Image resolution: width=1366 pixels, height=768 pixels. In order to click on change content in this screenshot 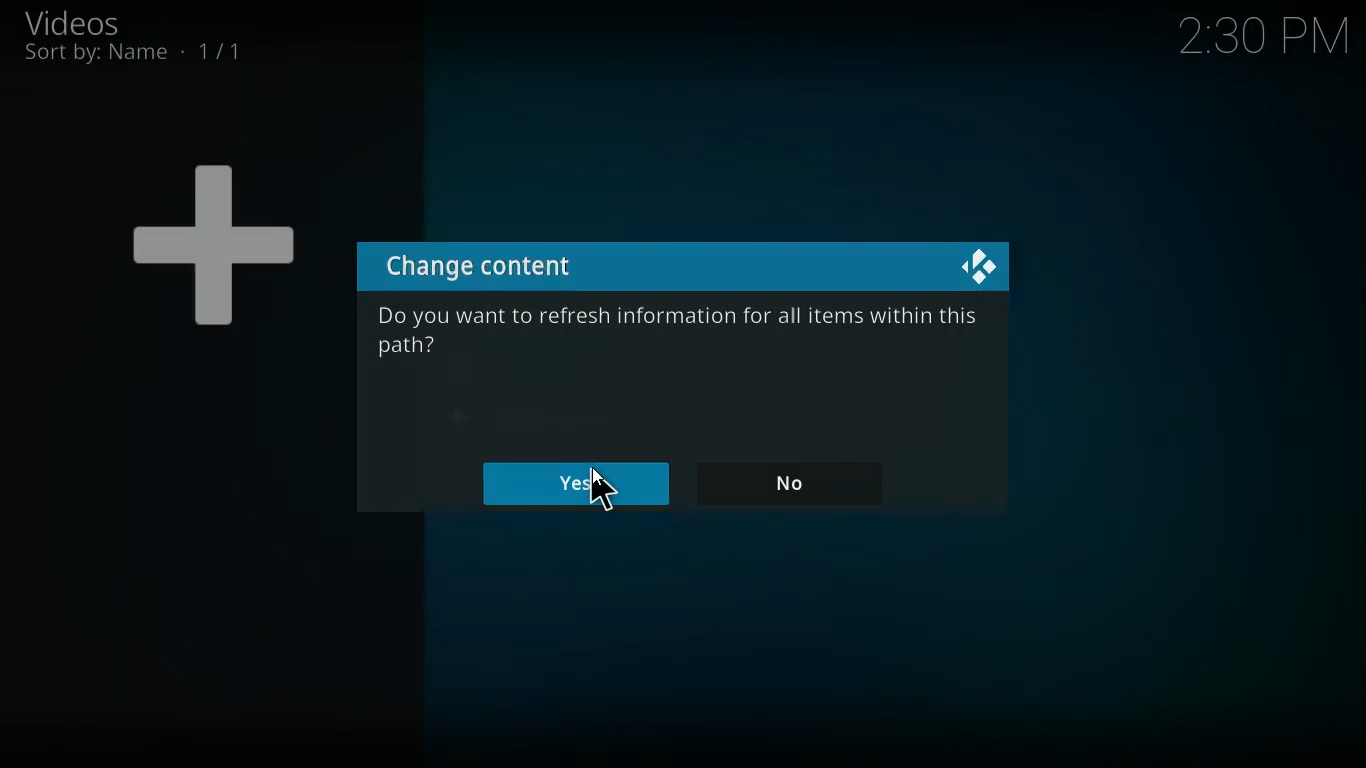, I will do `click(496, 269)`.